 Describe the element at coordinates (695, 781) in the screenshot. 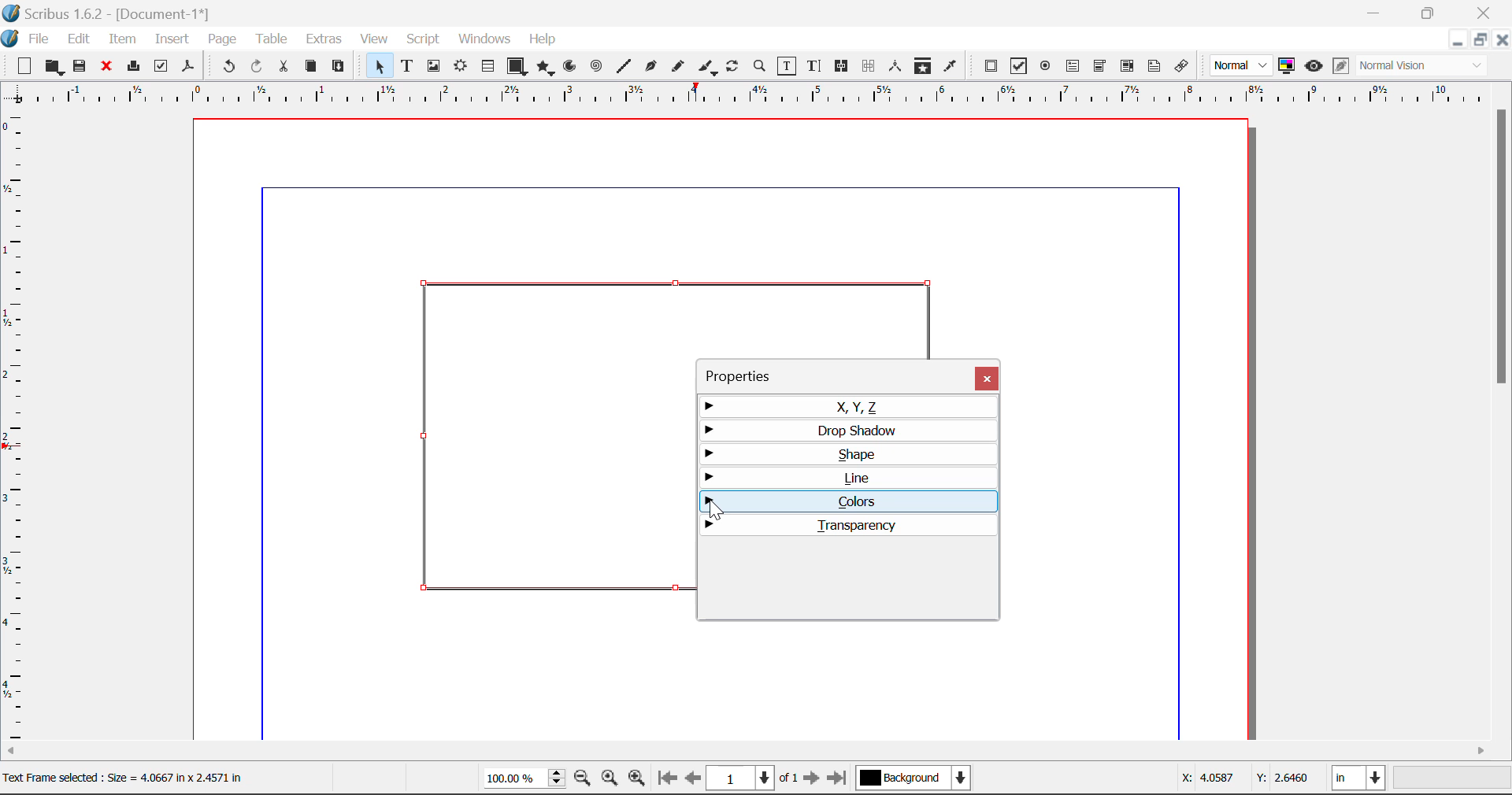

I see `Previous Page` at that location.